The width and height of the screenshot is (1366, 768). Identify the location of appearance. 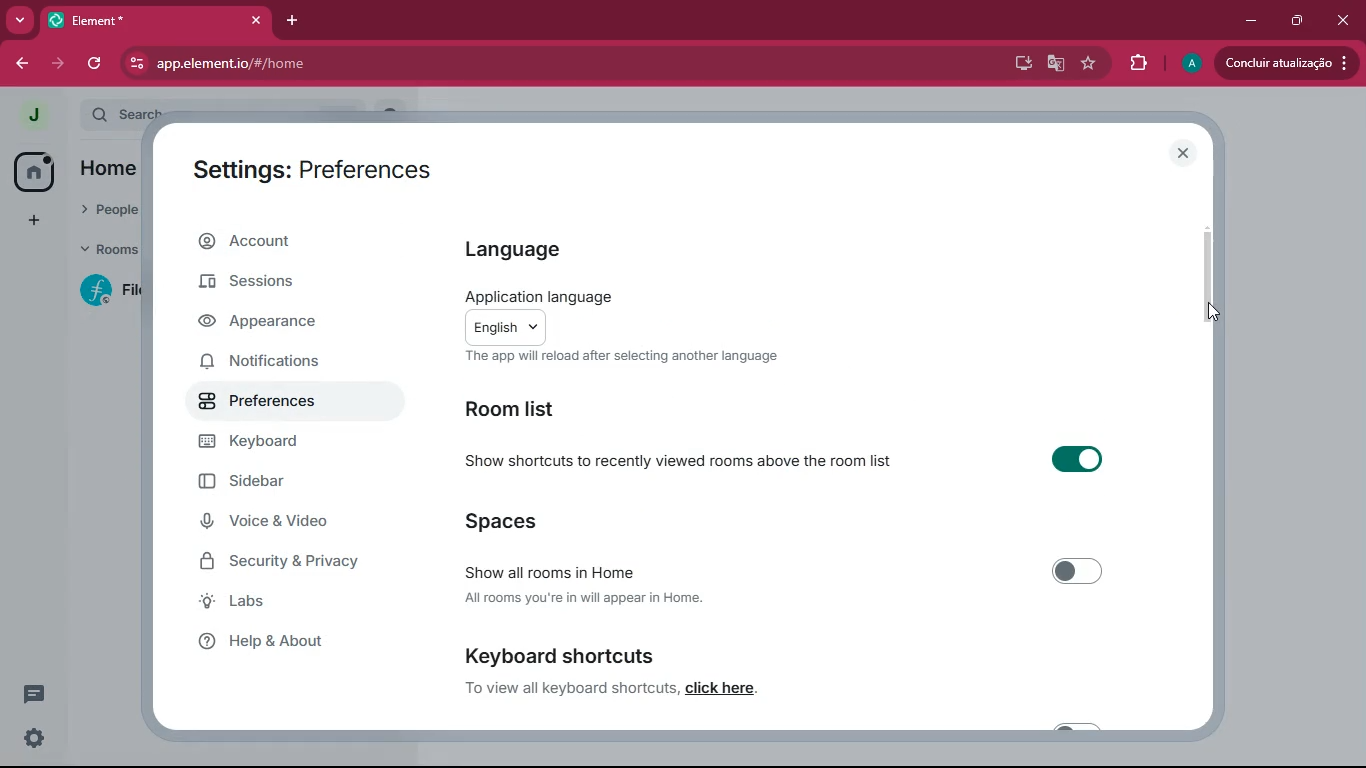
(283, 324).